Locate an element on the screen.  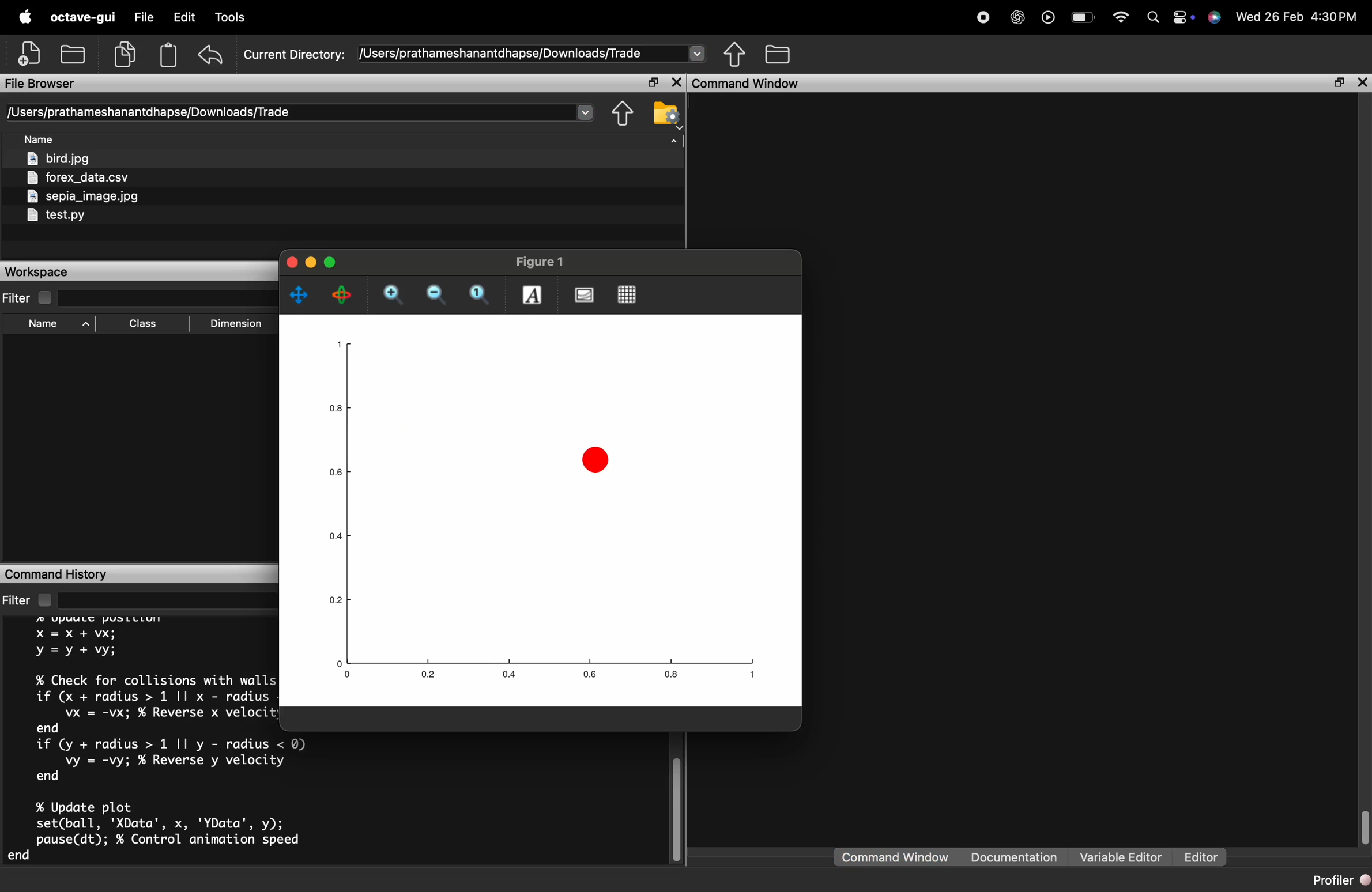
Drop-down  is located at coordinates (584, 111).